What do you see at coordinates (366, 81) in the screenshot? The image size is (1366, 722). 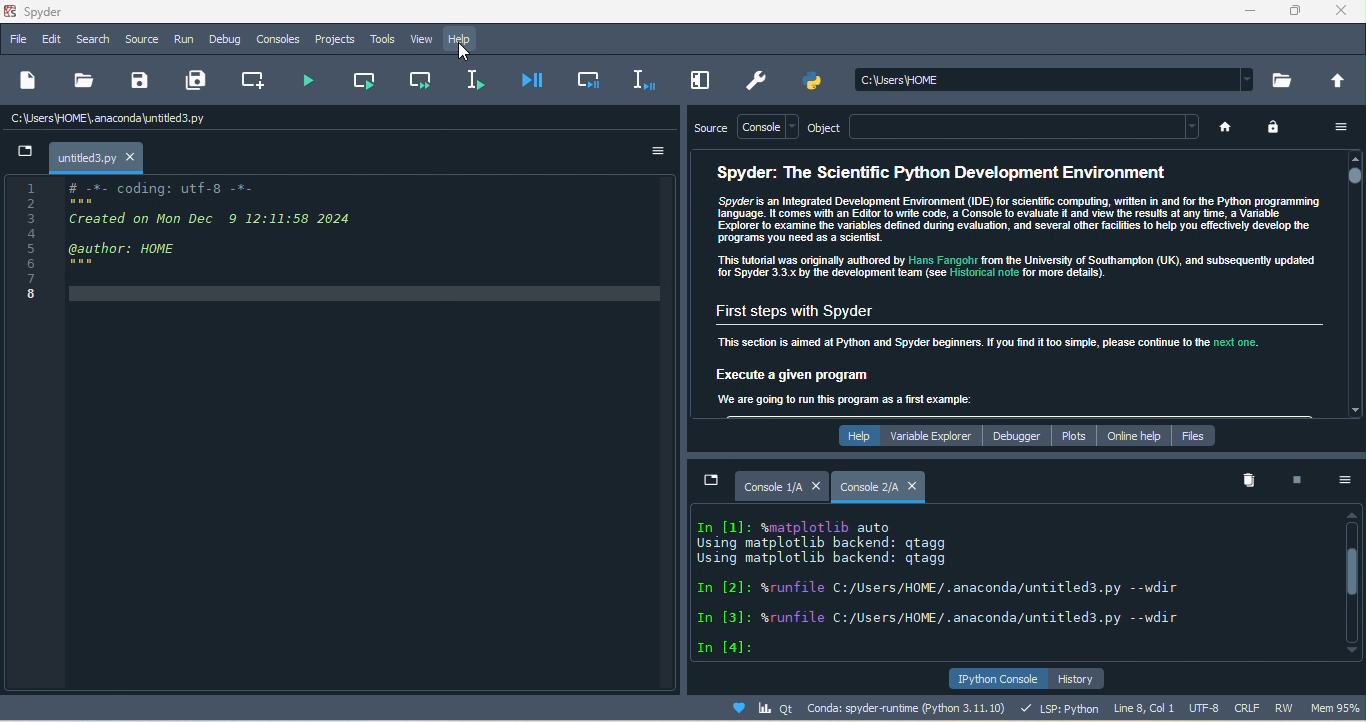 I see `run current cell` at bounding box center [366, 81].